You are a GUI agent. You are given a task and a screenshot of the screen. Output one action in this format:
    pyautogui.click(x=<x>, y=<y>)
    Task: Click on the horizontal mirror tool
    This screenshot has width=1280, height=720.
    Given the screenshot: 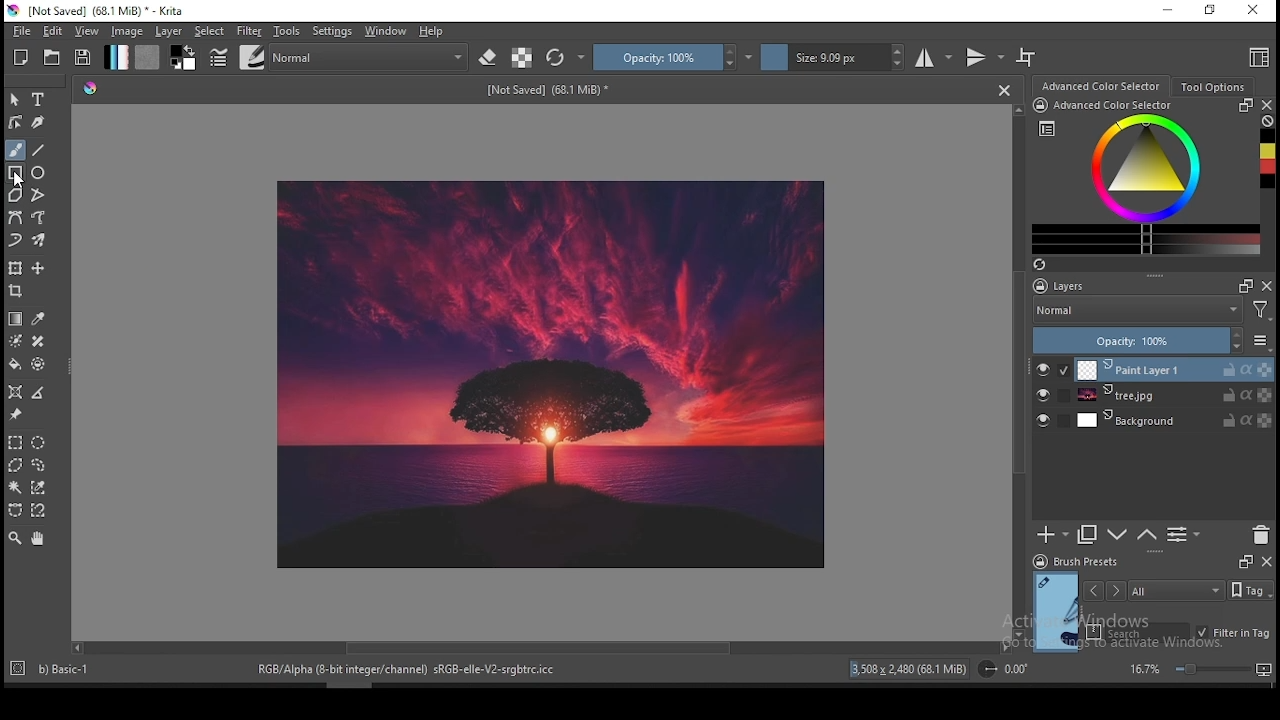 What is the action you would take?
    pyautogui.click(x=935, y=57)
    